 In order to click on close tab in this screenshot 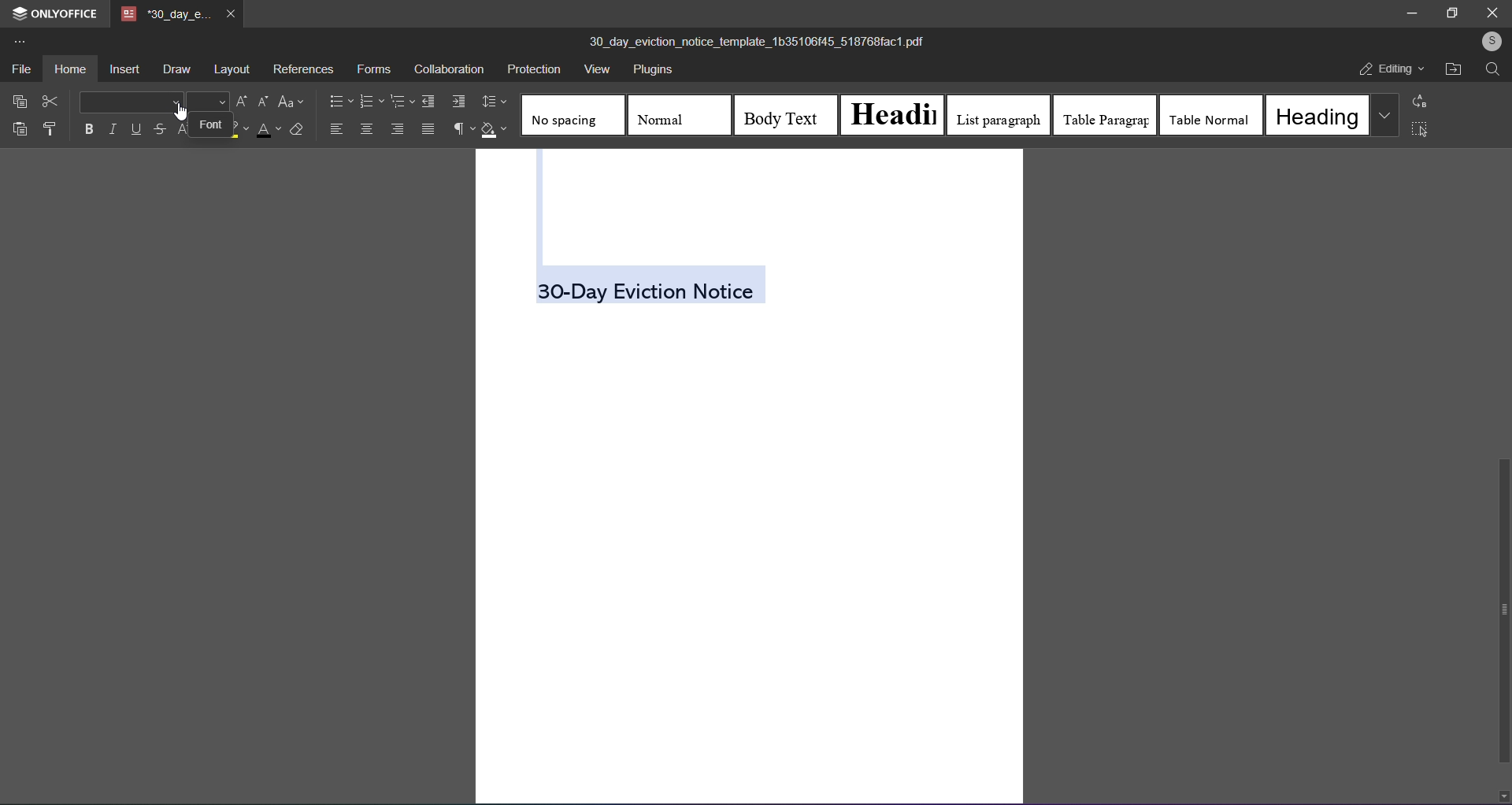, I will do `click(232, 16)`.